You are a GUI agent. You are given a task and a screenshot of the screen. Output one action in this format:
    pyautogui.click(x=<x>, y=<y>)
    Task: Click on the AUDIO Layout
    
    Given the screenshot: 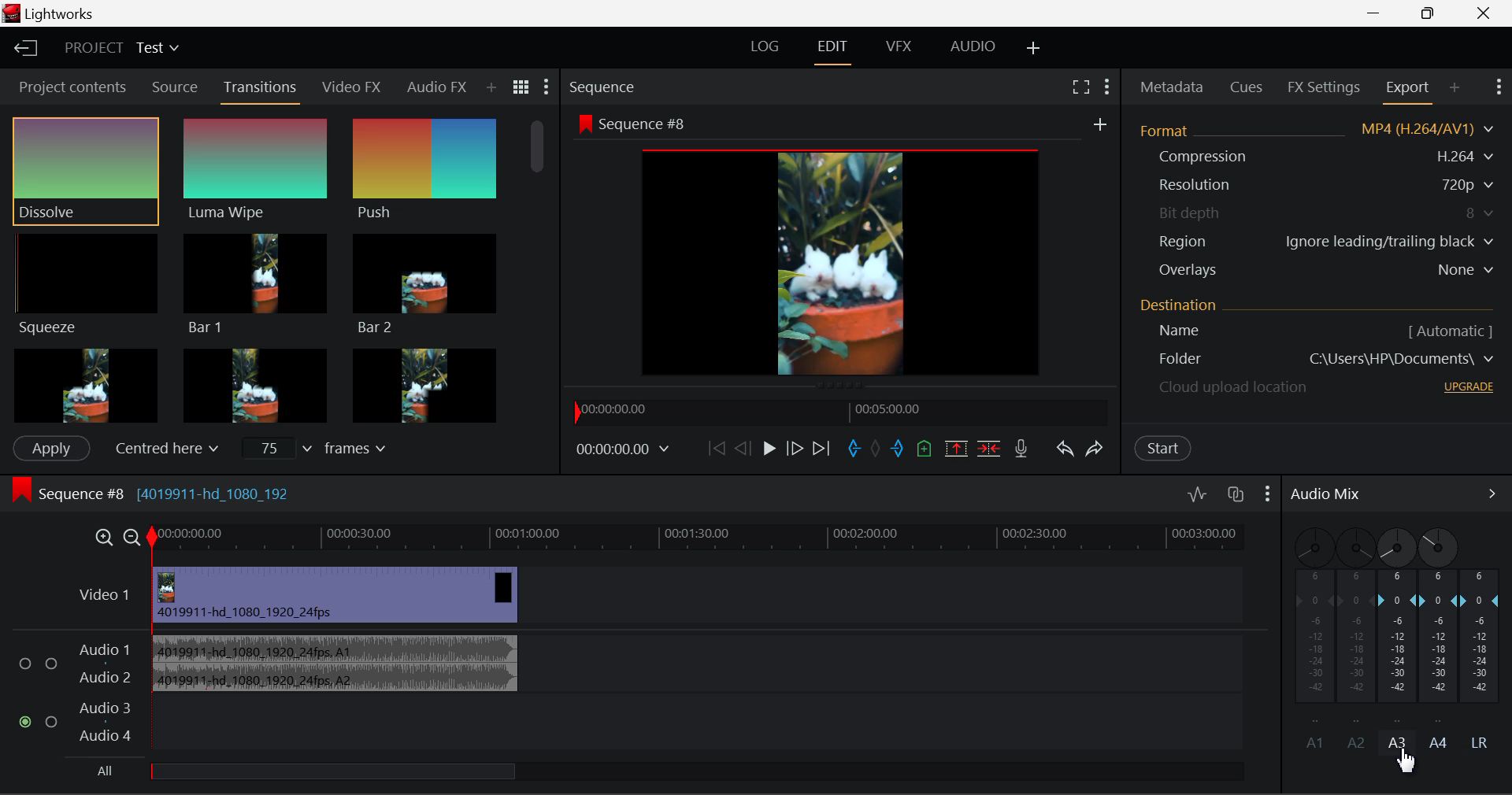 What is the action you would take?
    pyautogui.click(x=975, y=45)
    